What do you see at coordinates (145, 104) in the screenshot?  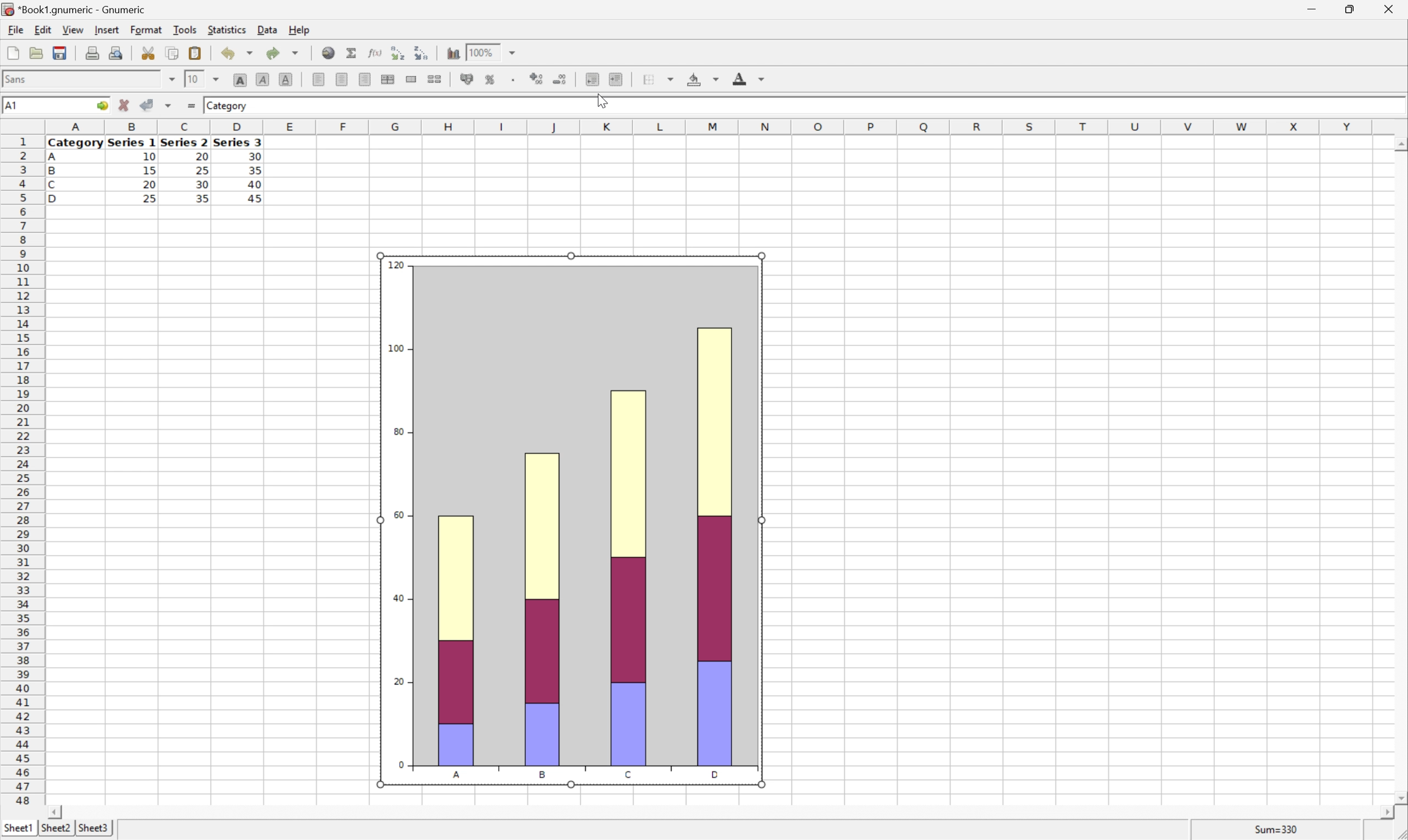 I see `Accept changes` at bounding box center [145, 104].